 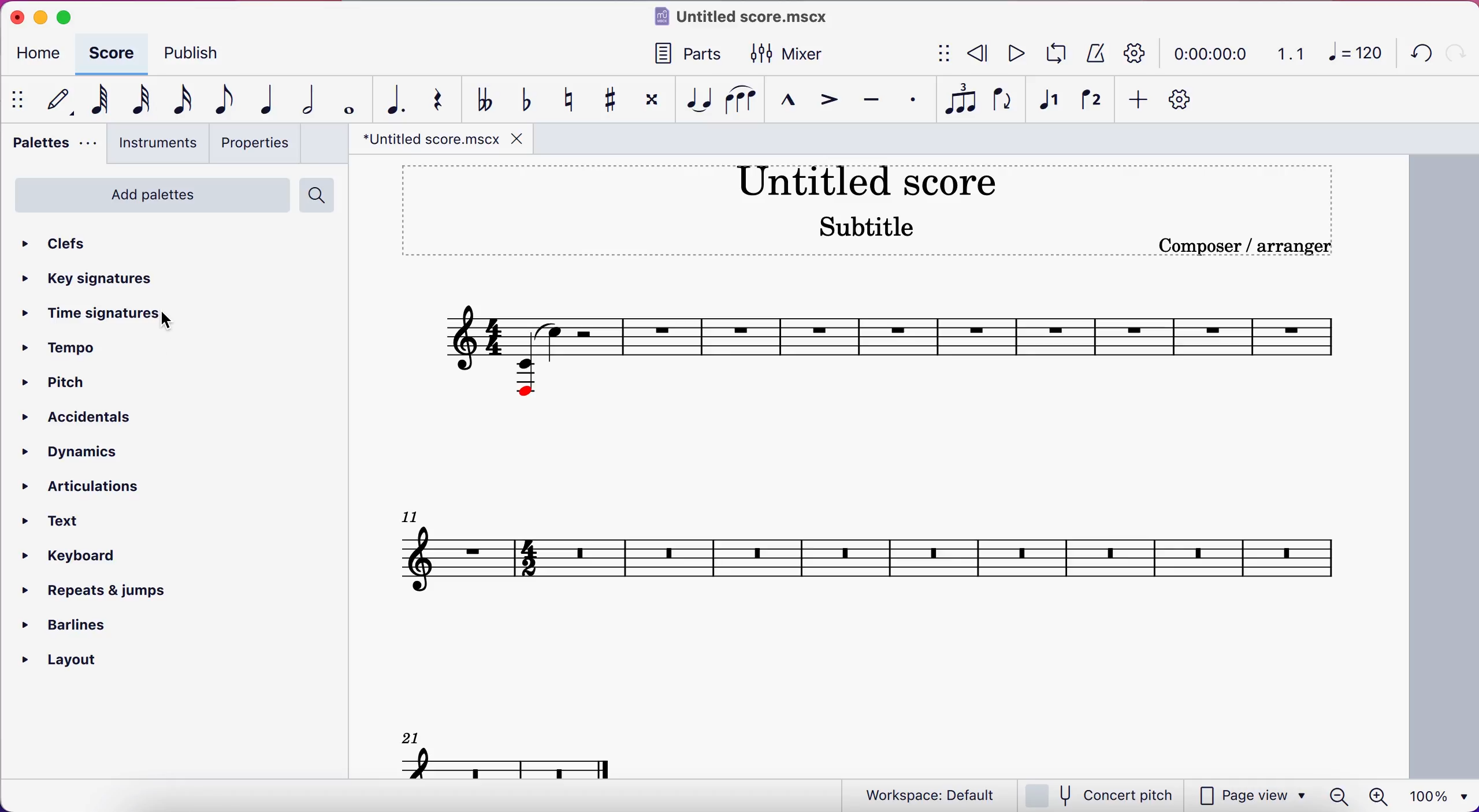 What do you see at coordinates (218, 101) in the screenshot?
I see `eight note` at bounding box center [218, 101].